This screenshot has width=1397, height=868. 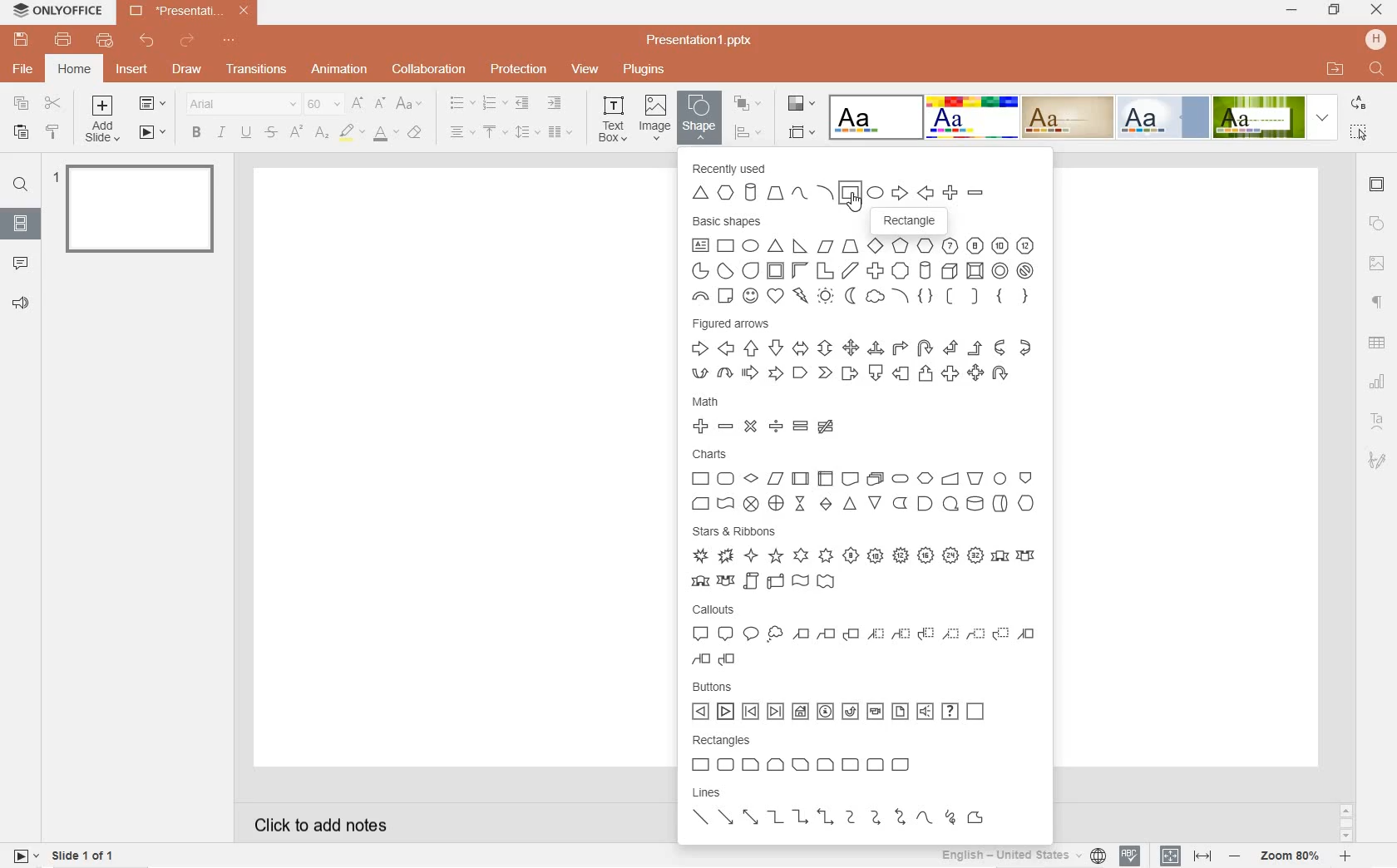 I want to click on Double Brace, so click(x=926, y=296).